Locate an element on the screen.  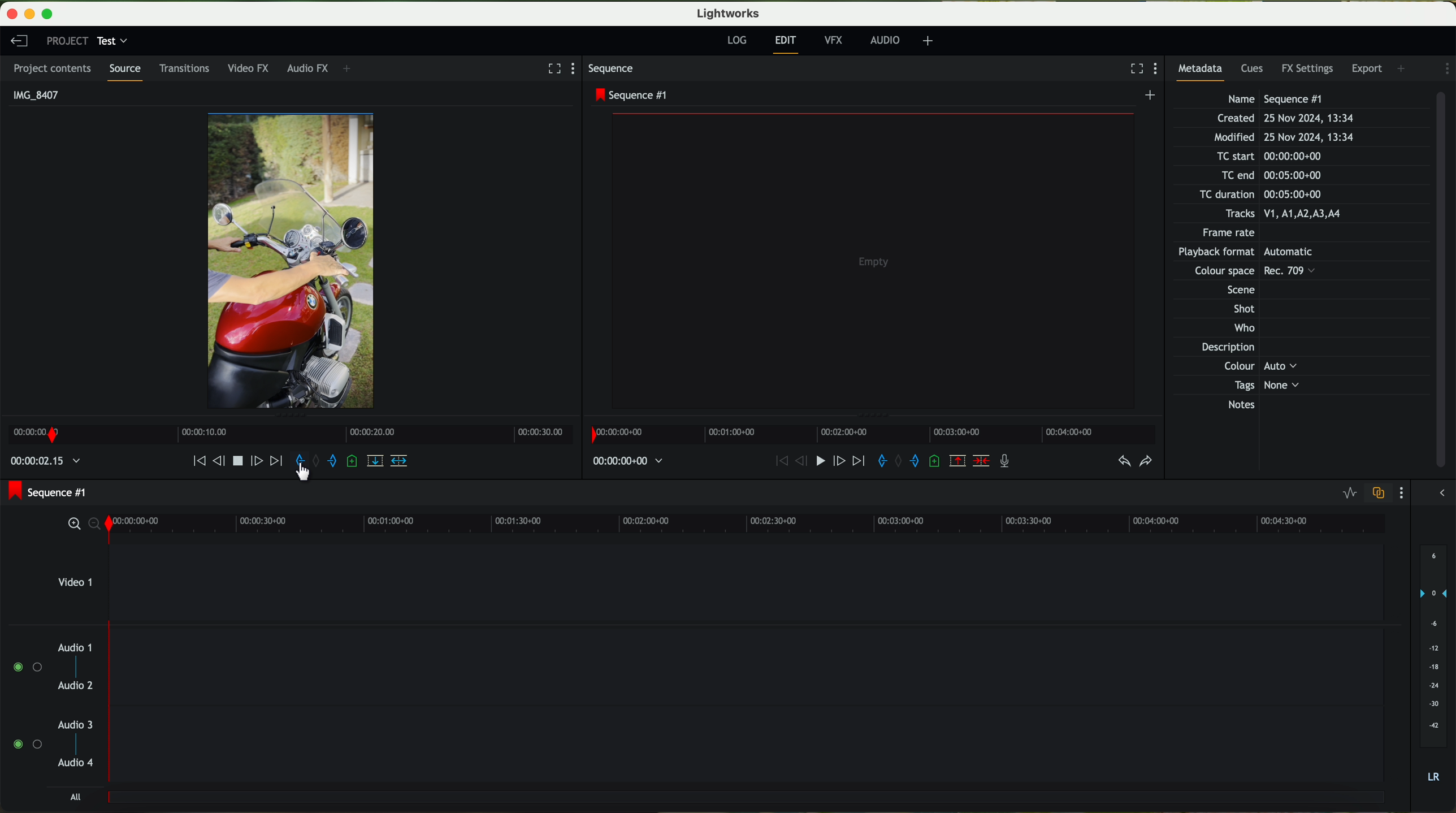
audio output level (dB) is located at coordinates (1431, 663).